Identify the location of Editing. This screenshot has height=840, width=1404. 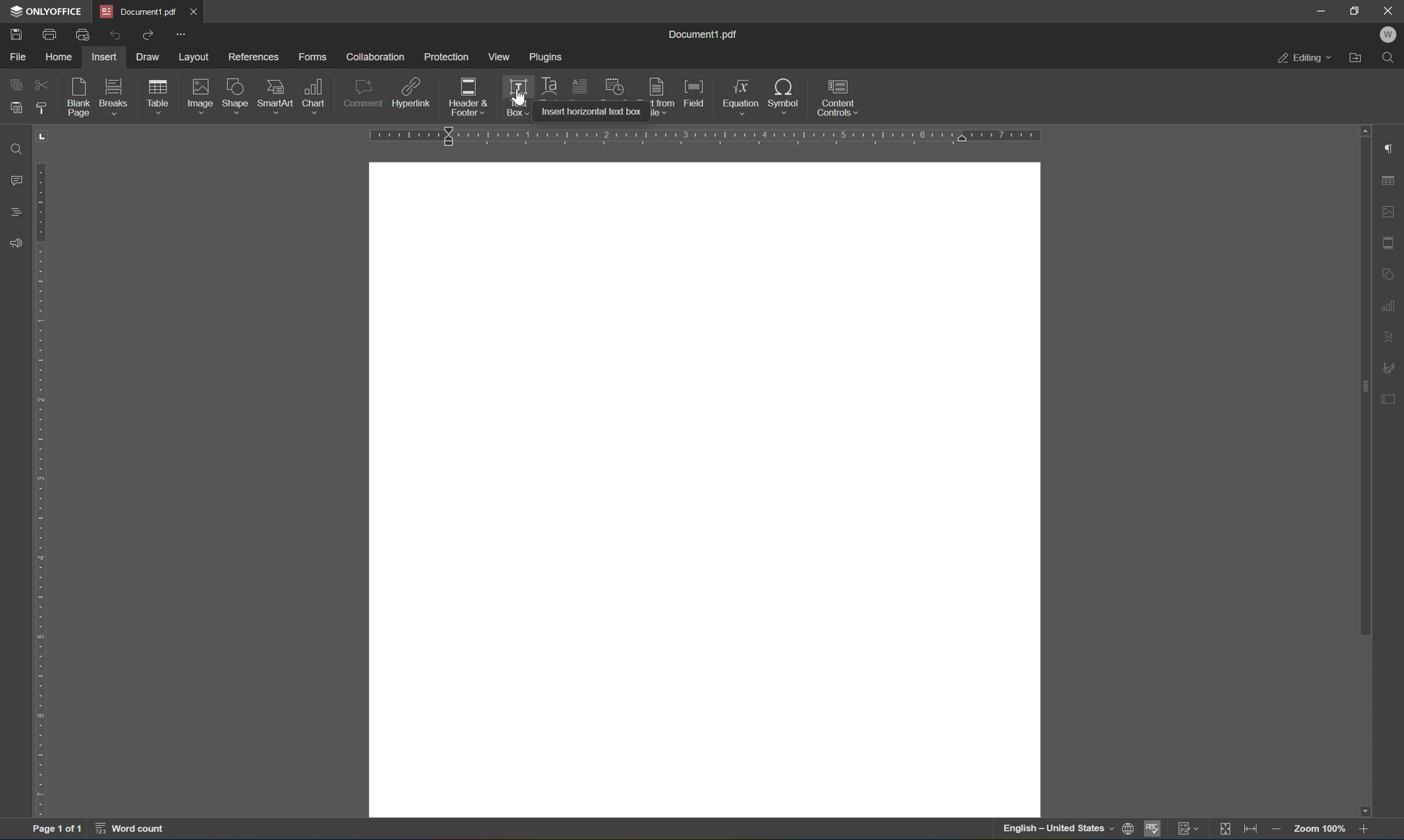
(1304, 59).